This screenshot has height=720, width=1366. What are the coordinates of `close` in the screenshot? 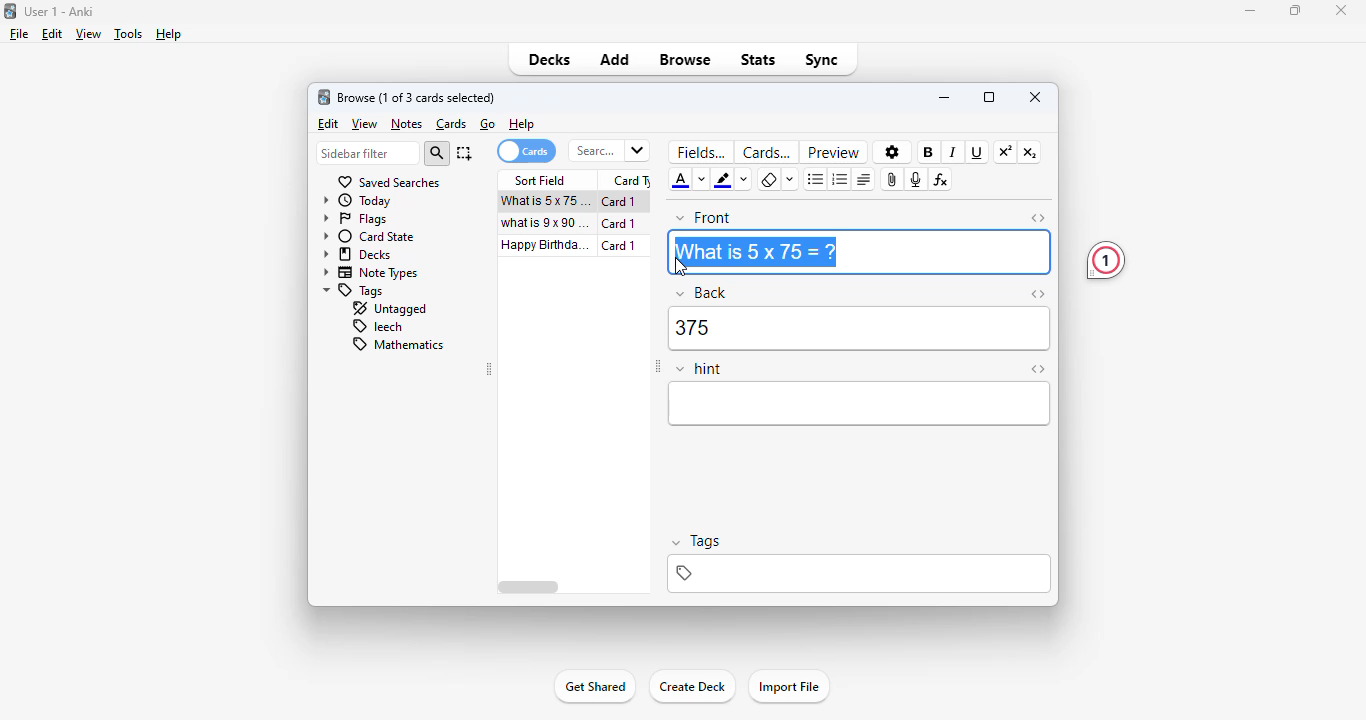 It's located at (1035, 98).